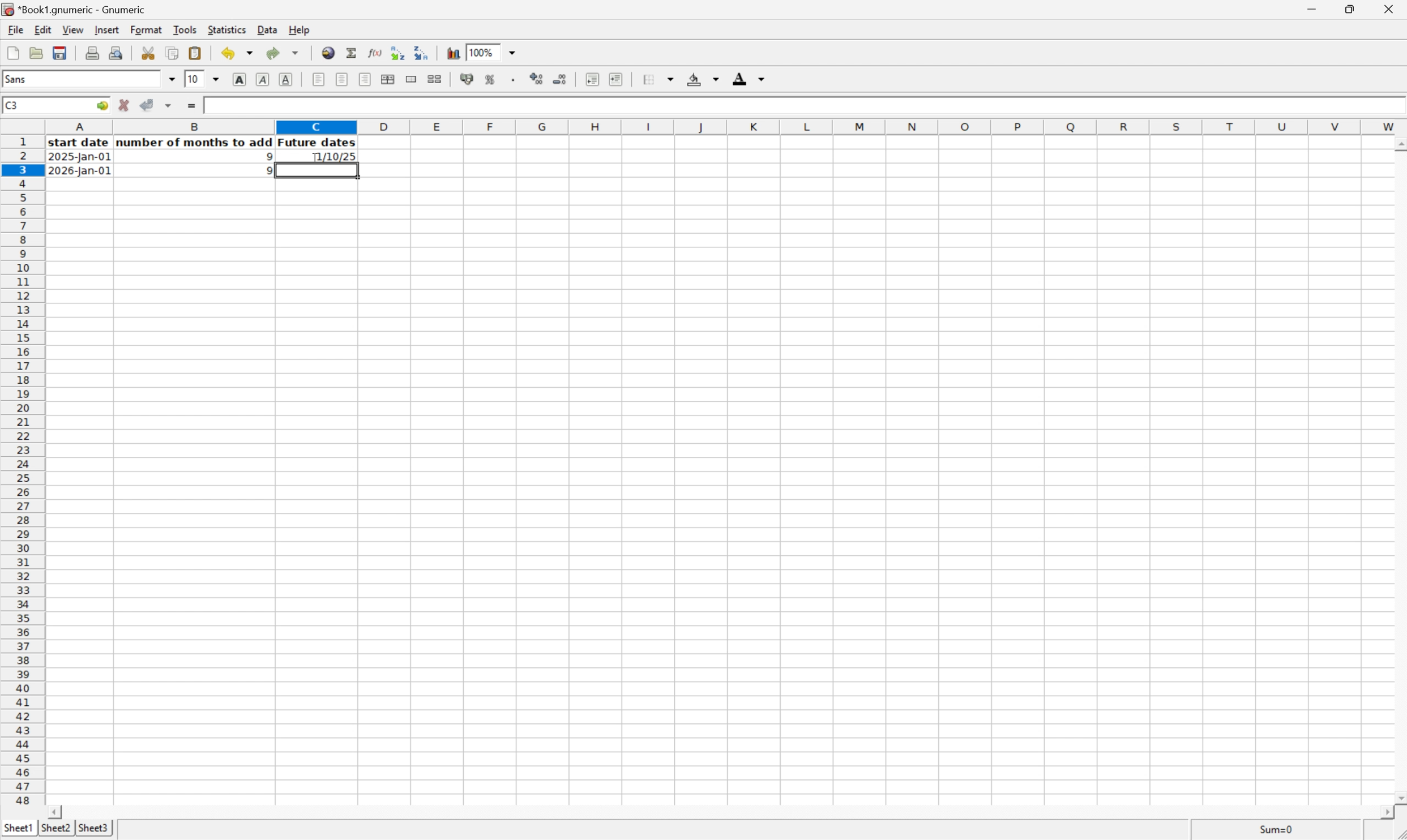 Image resolution: width=1407 pixels, height=840 pixels. I want to click on Accept changes across selection, so click(172, 104).